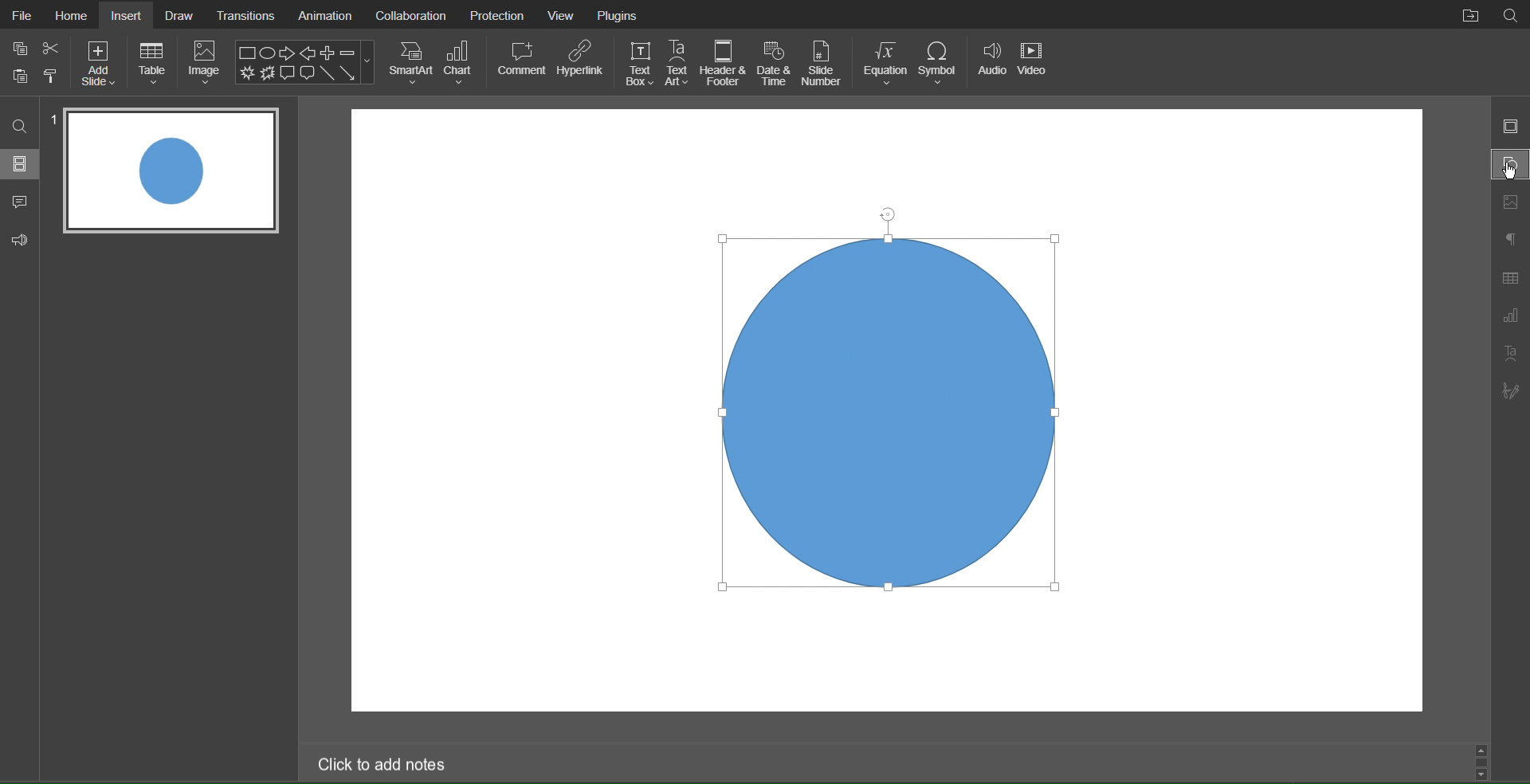  I want to click on copy, so click(23, 78).